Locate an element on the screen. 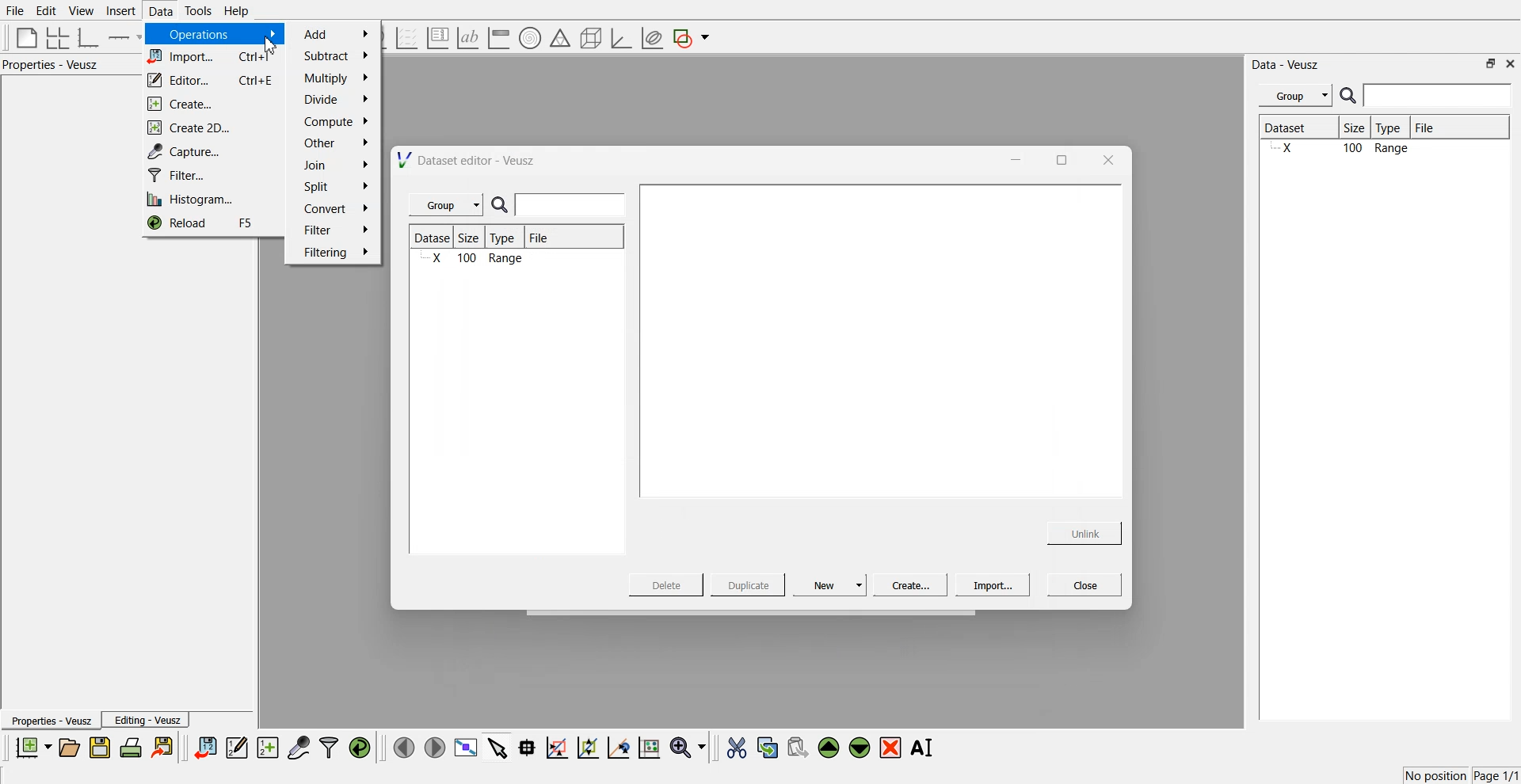  No position is located at coordinates (1438, 774).